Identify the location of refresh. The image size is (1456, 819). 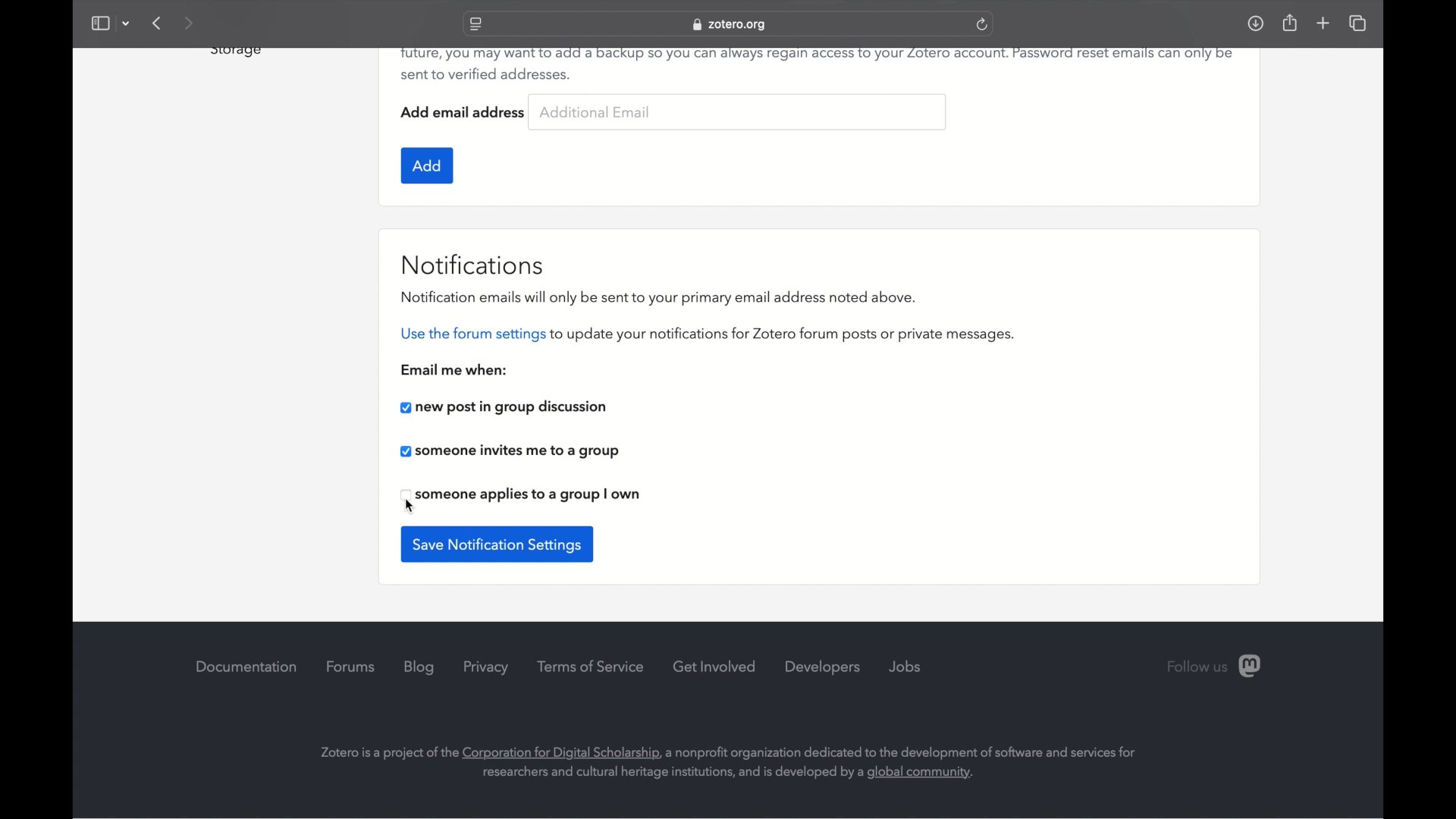
(983, 24).